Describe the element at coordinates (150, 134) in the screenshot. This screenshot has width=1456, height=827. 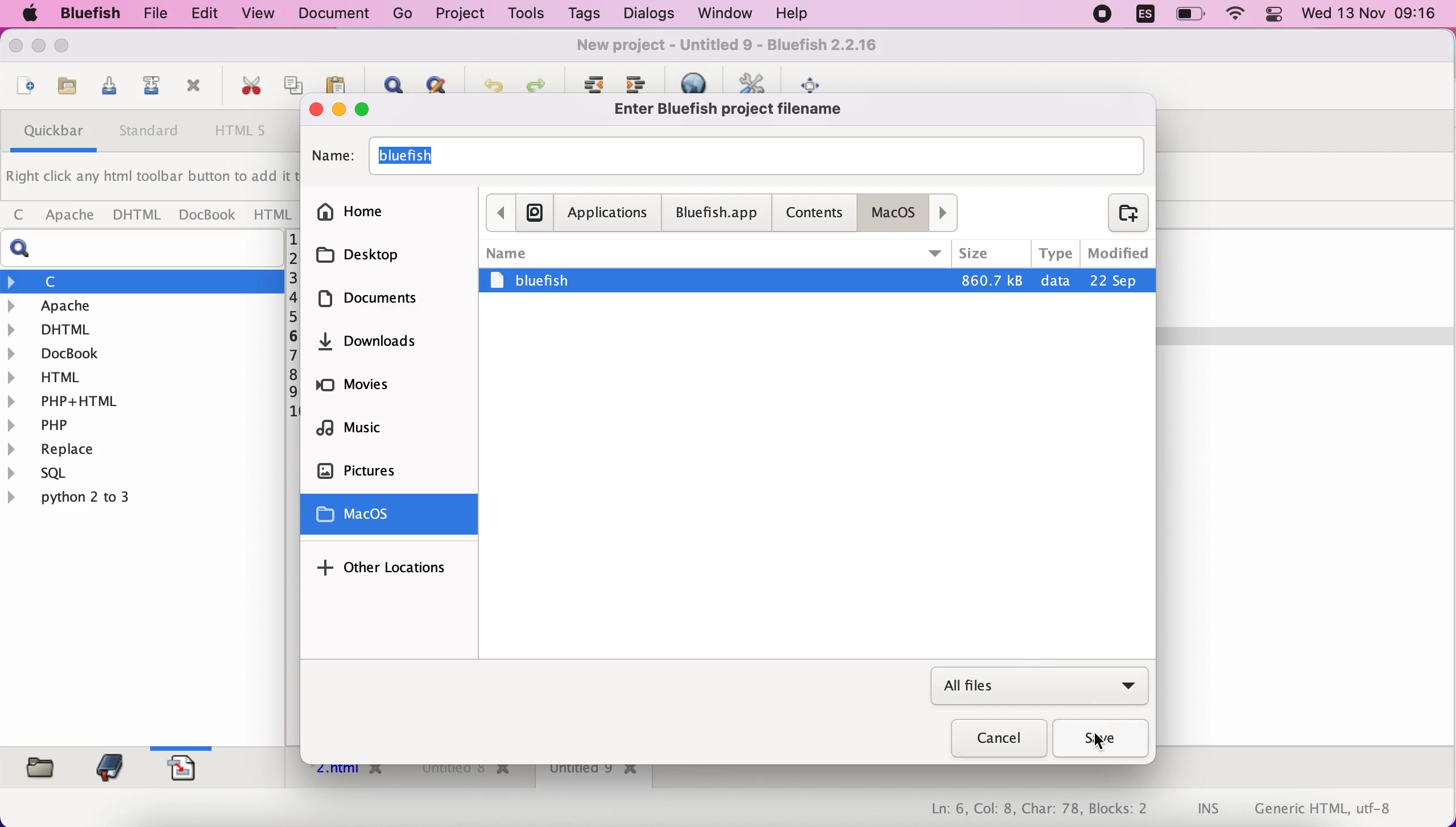
I see `standard` at that location.